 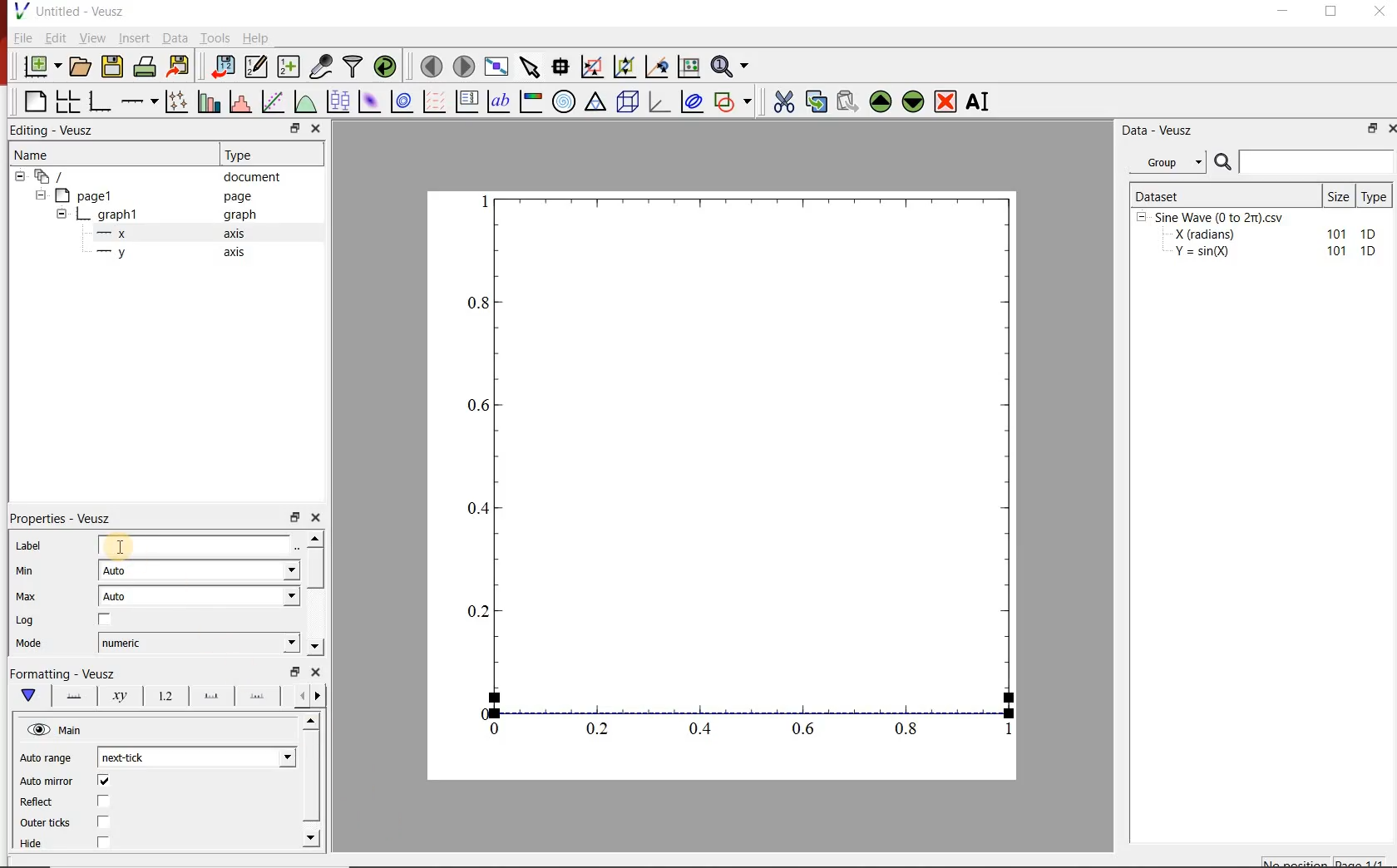 I want to click on Dataset, so click(x=1224, y=195).